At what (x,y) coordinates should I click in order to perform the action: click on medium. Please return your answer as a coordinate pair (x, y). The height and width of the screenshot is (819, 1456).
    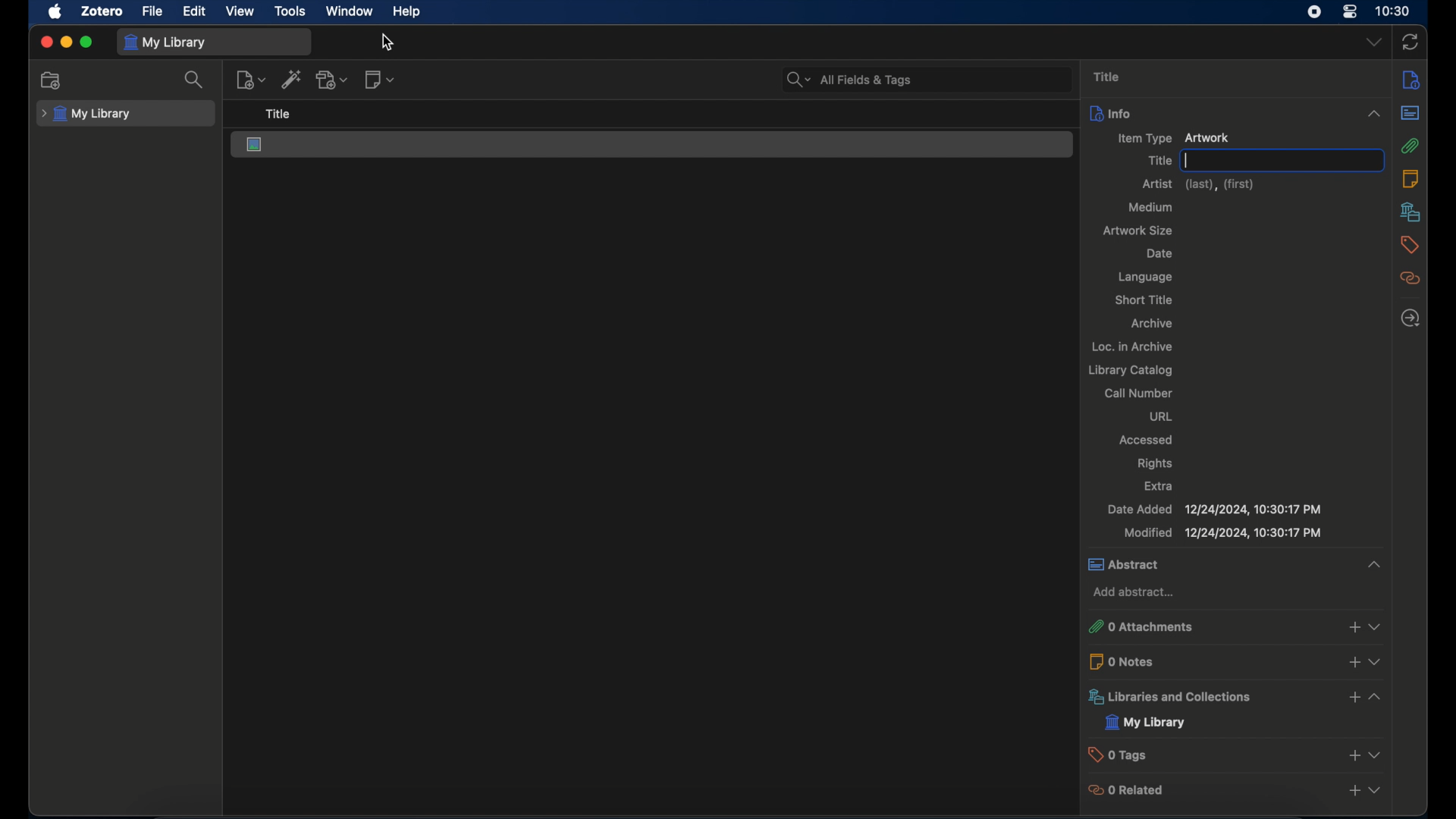
    Looking at the image, I should click on (1151, 206).